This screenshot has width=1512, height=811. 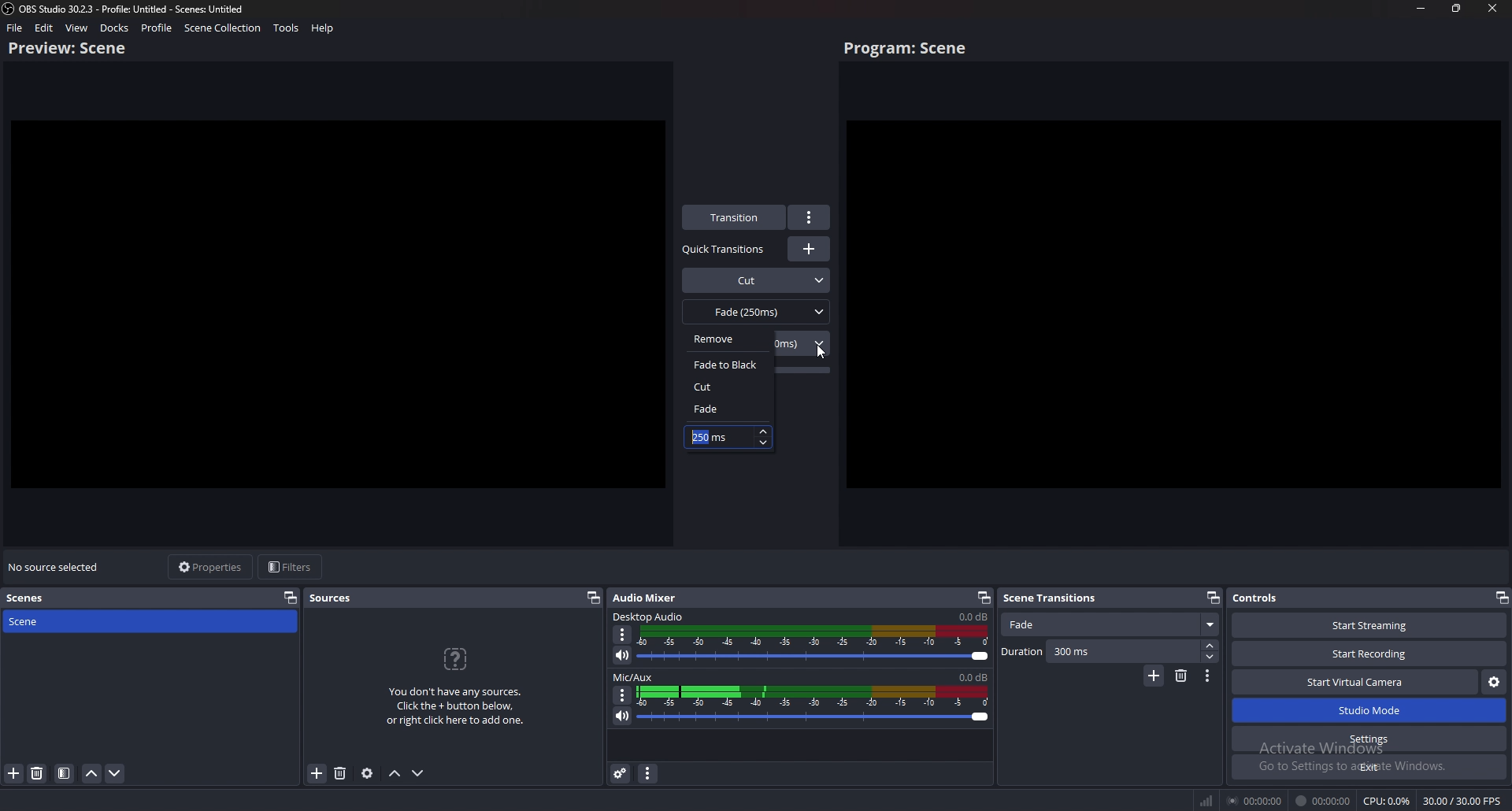 I want to click on options, so click(x=810, y=217).